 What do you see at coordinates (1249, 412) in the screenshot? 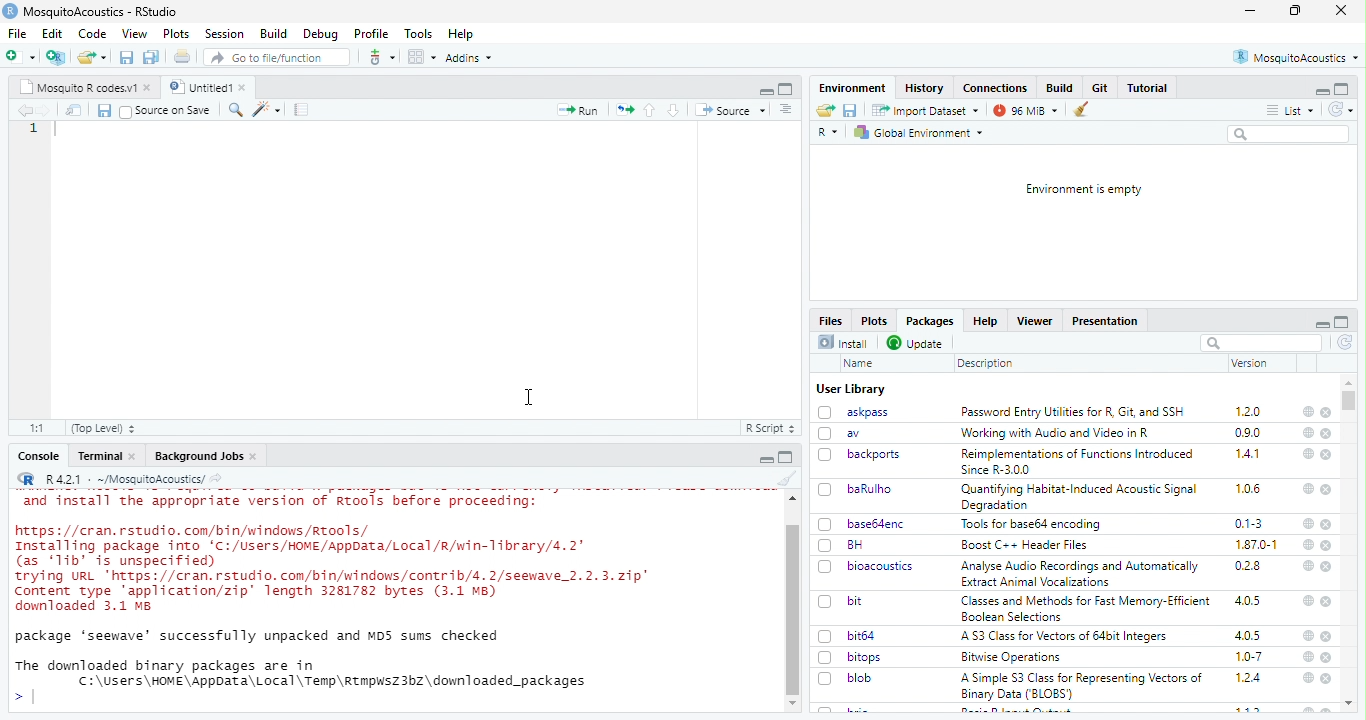
I see `120` at bounding box center [1249, 412].